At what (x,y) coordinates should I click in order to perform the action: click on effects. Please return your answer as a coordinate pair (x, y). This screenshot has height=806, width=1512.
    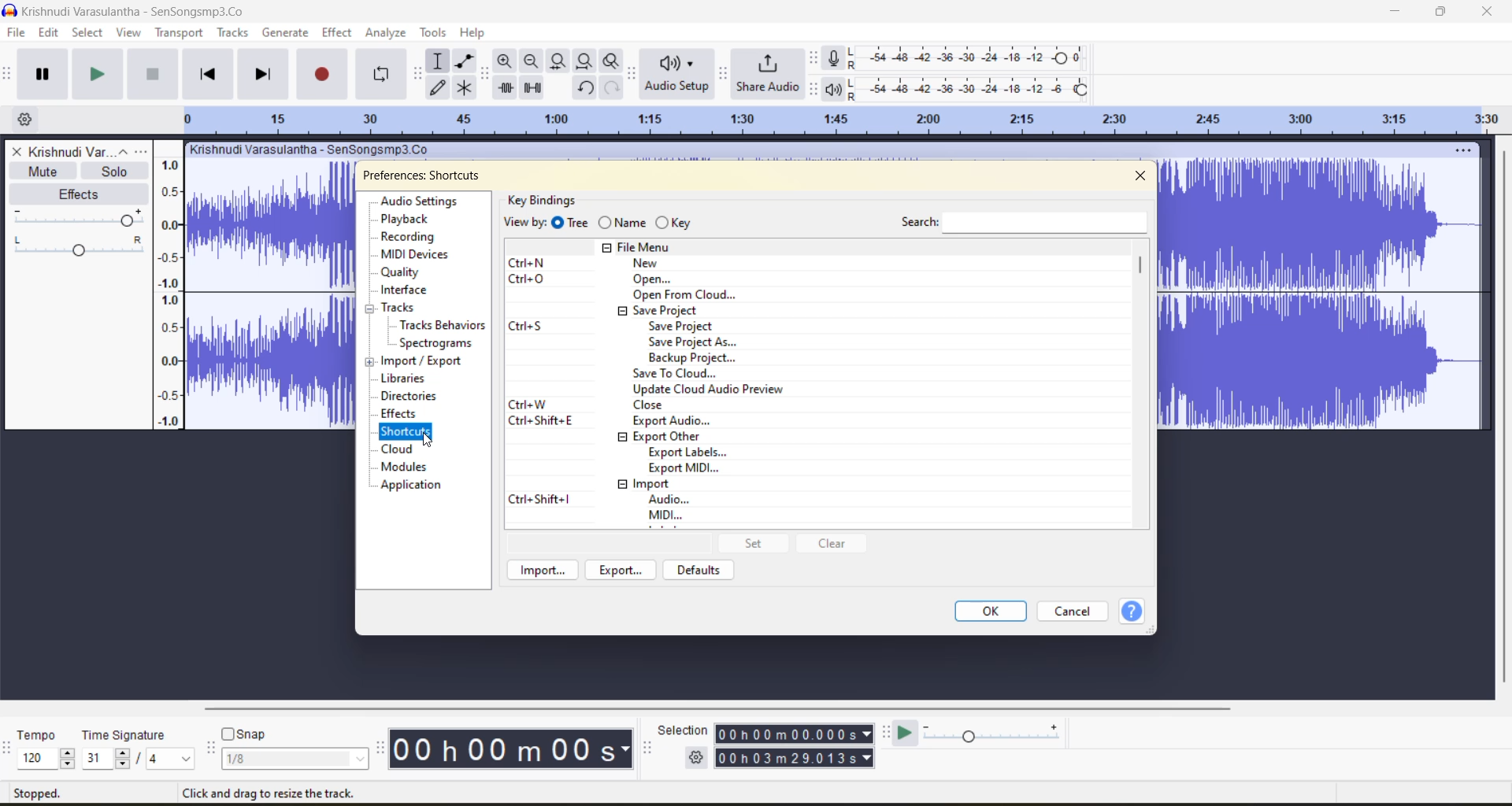
    Looking at the image, I should click on (83, 194).